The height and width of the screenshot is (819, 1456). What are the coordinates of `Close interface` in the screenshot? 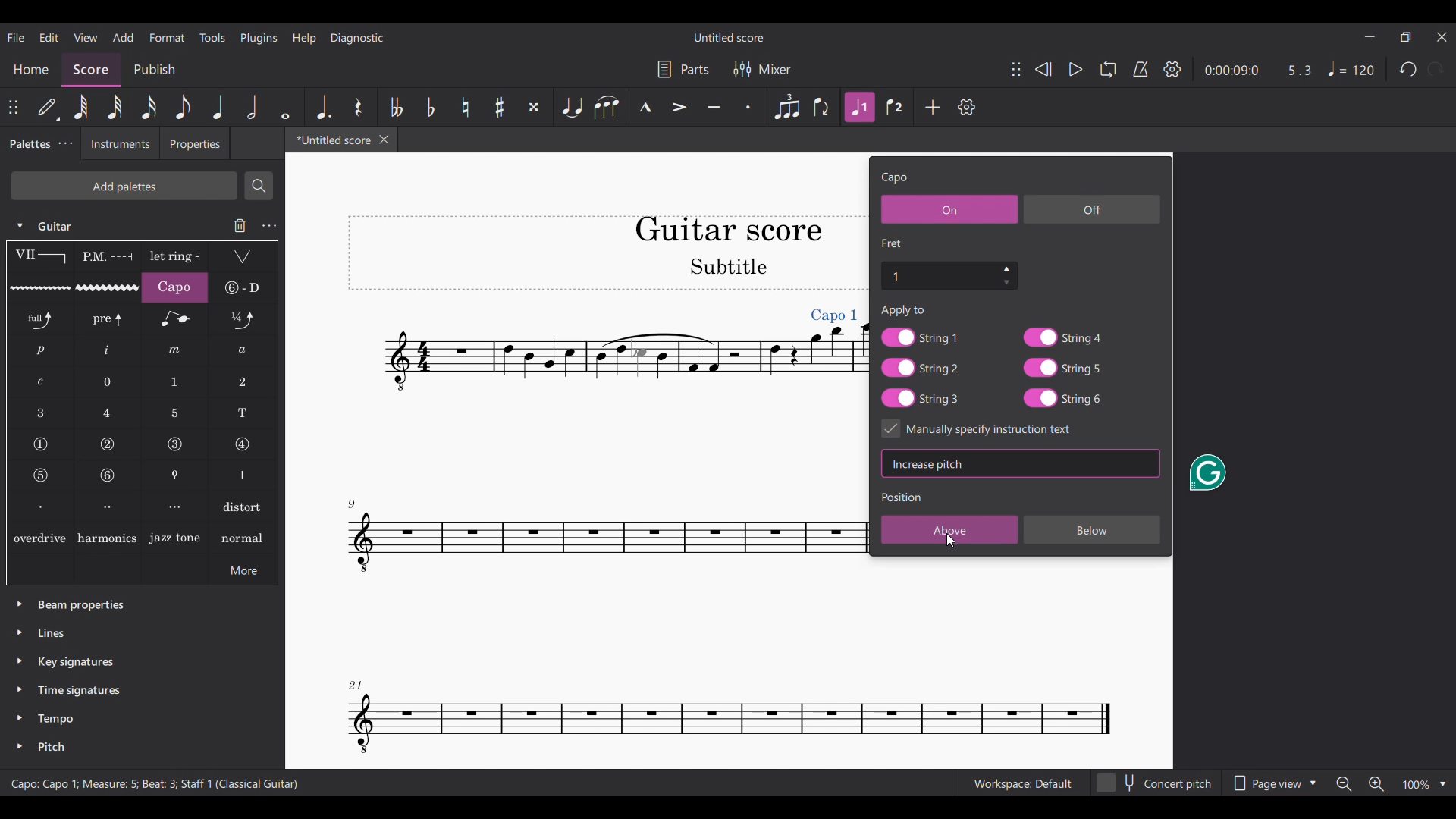 It's located at (1442, 37).